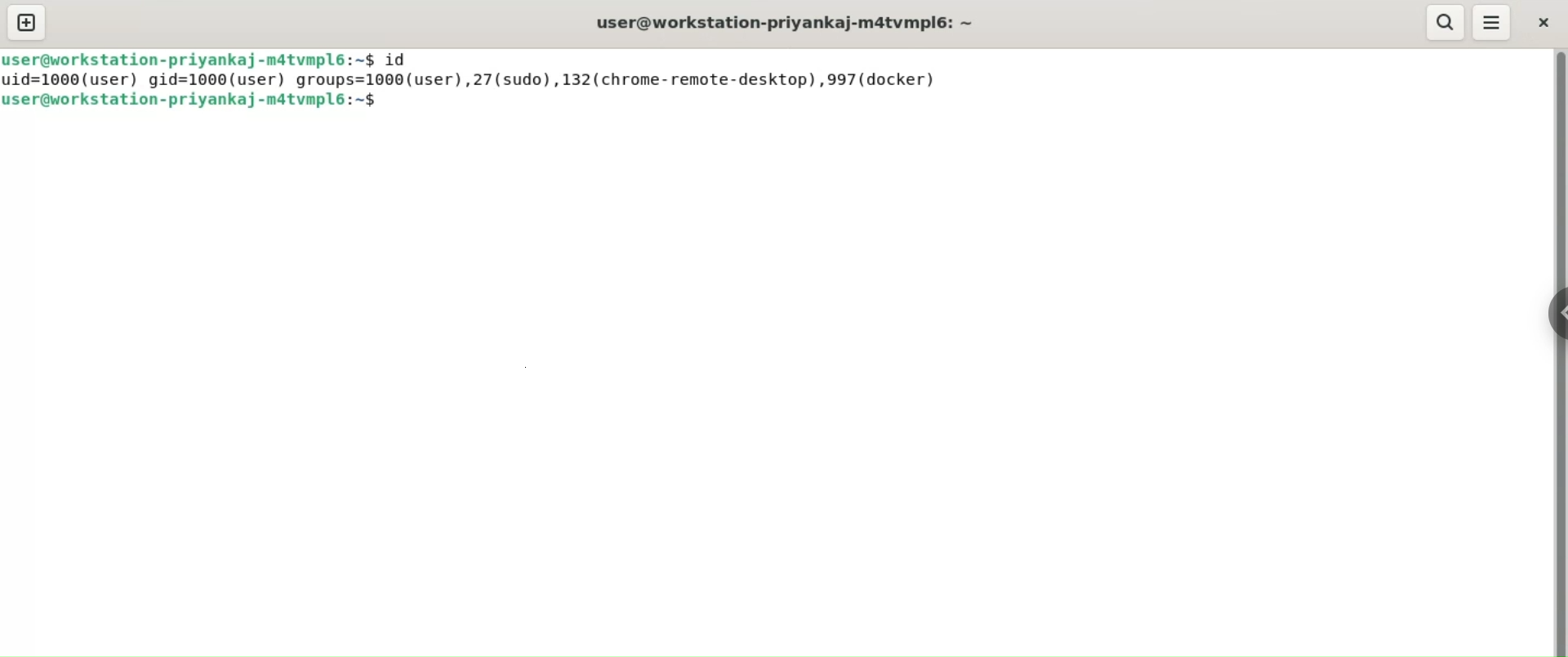  I want to click on gid=1000(user), so click(216, 79).